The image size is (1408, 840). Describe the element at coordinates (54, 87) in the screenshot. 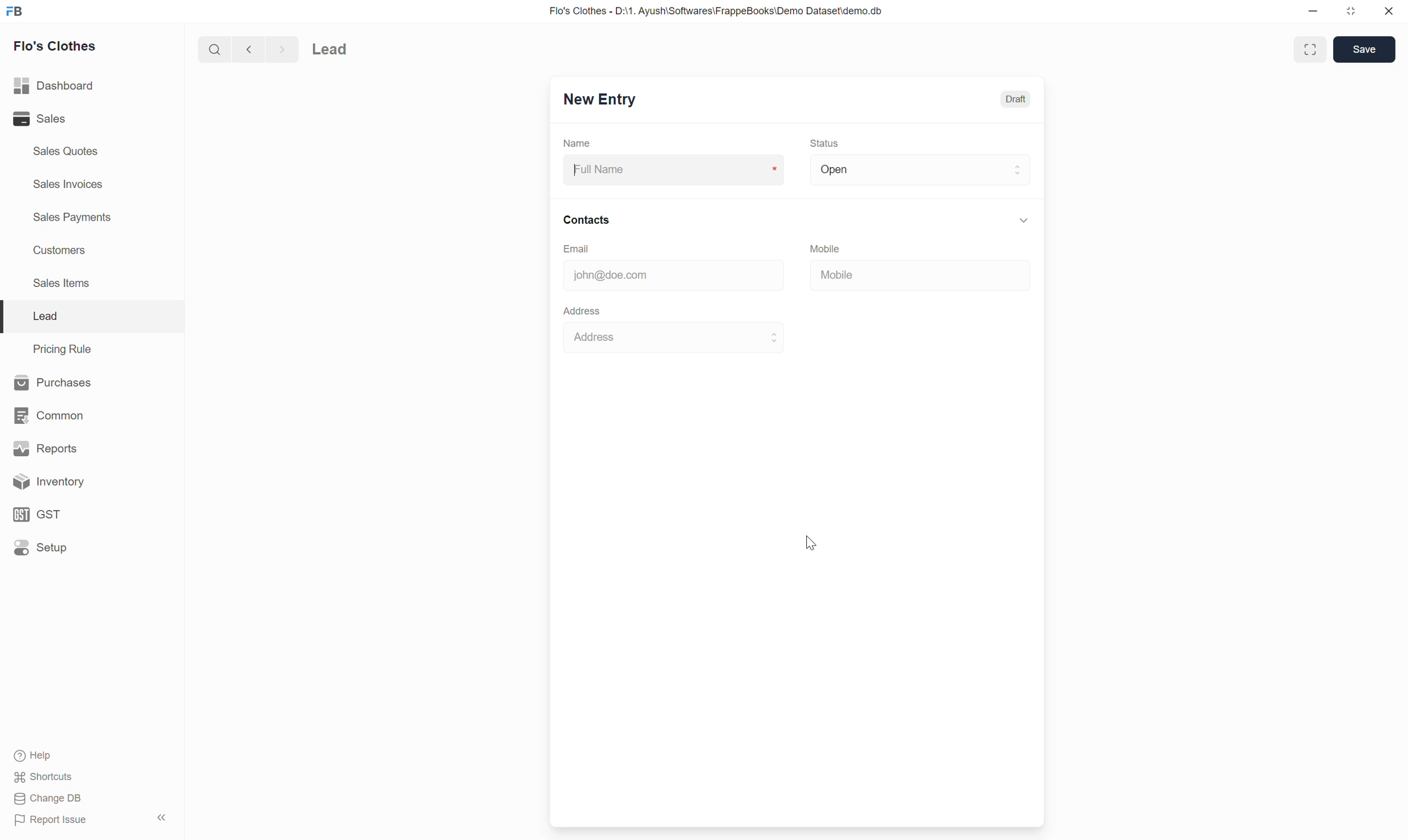

I see `Dashboard` at that location.